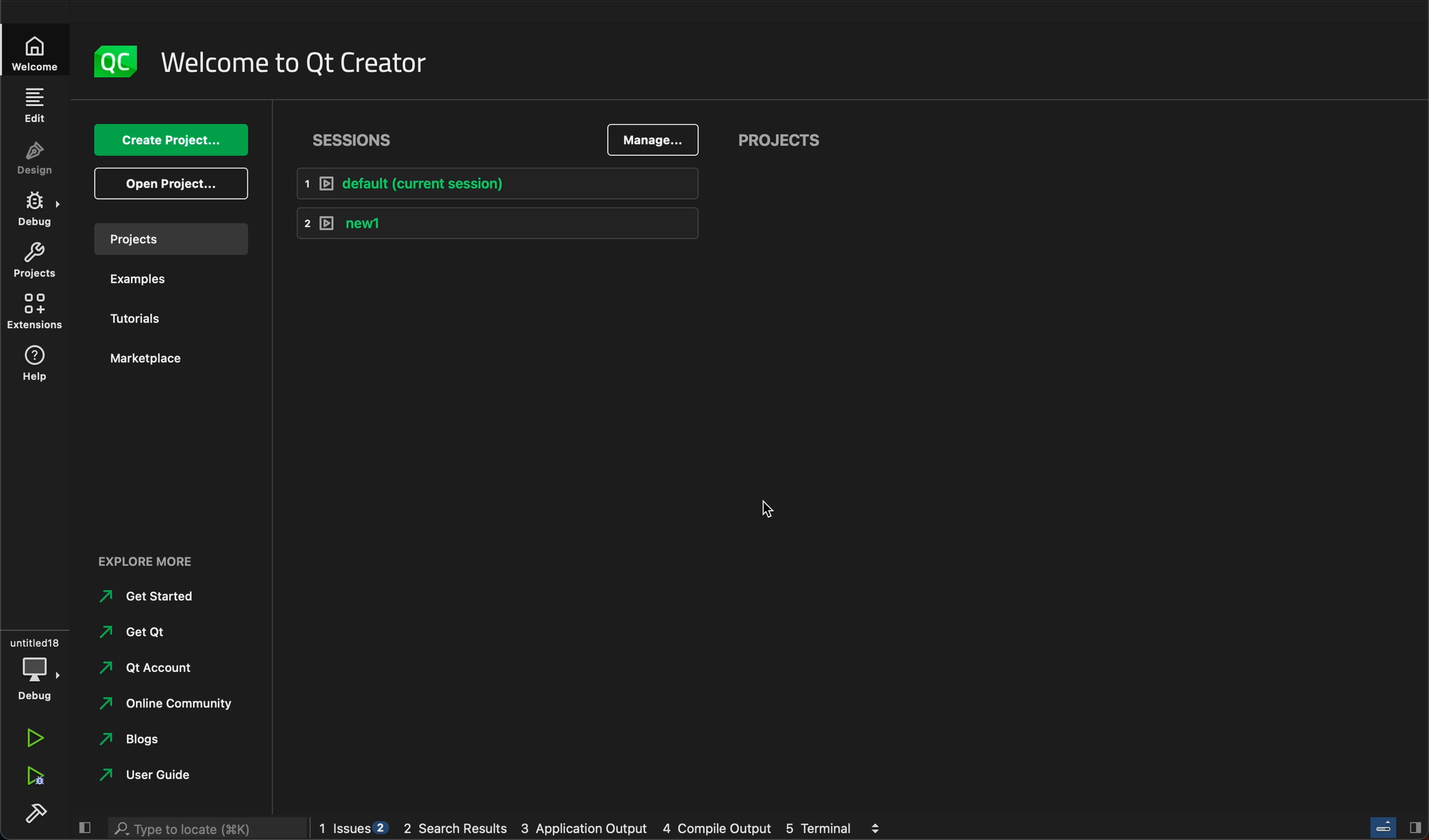 The width and height of the screenshot is (1429, 840). I want to click on account, so click(160, 666).